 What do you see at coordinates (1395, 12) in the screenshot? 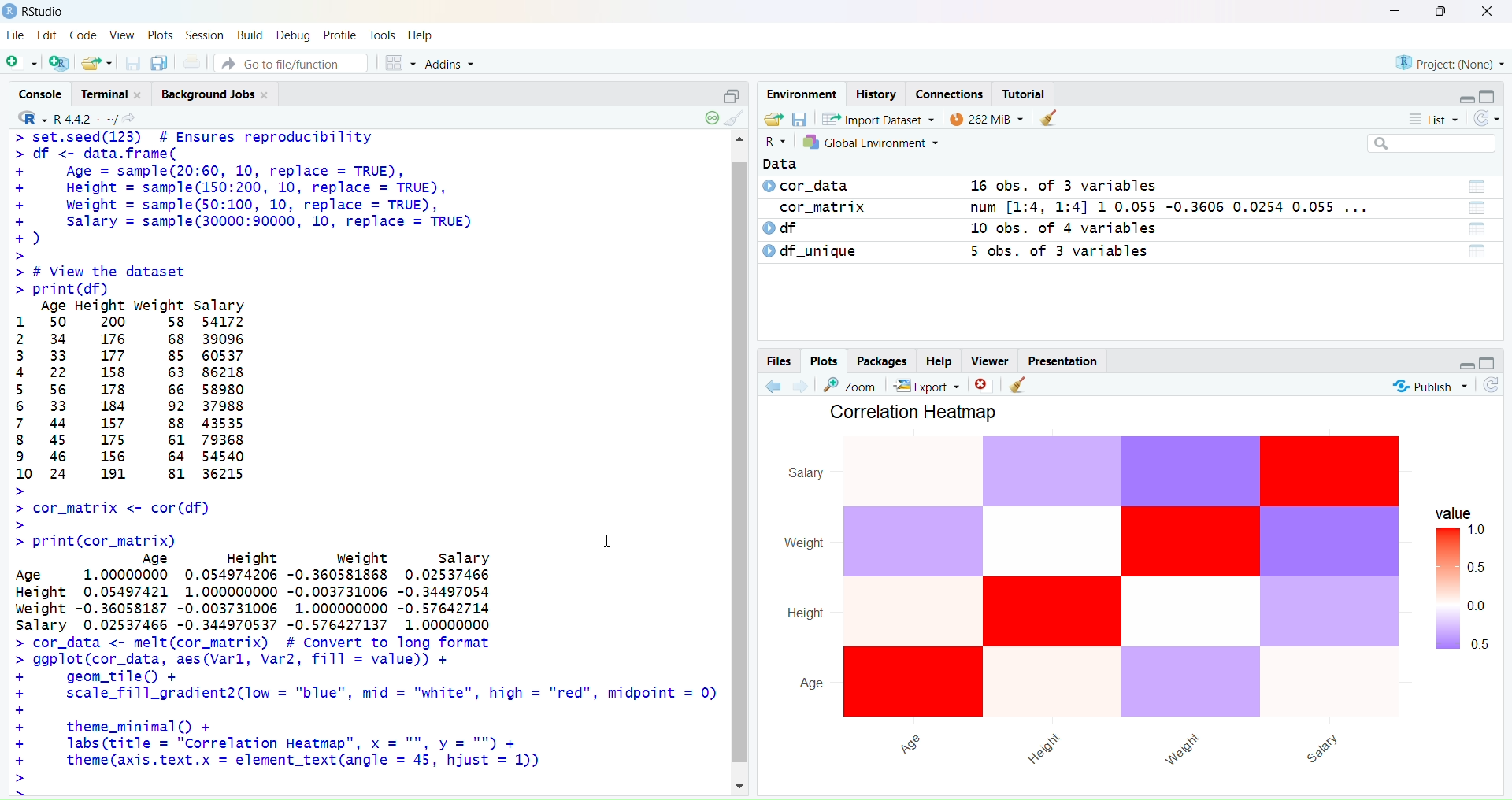
I see `Minimize` at bounding box center [1395, 12].